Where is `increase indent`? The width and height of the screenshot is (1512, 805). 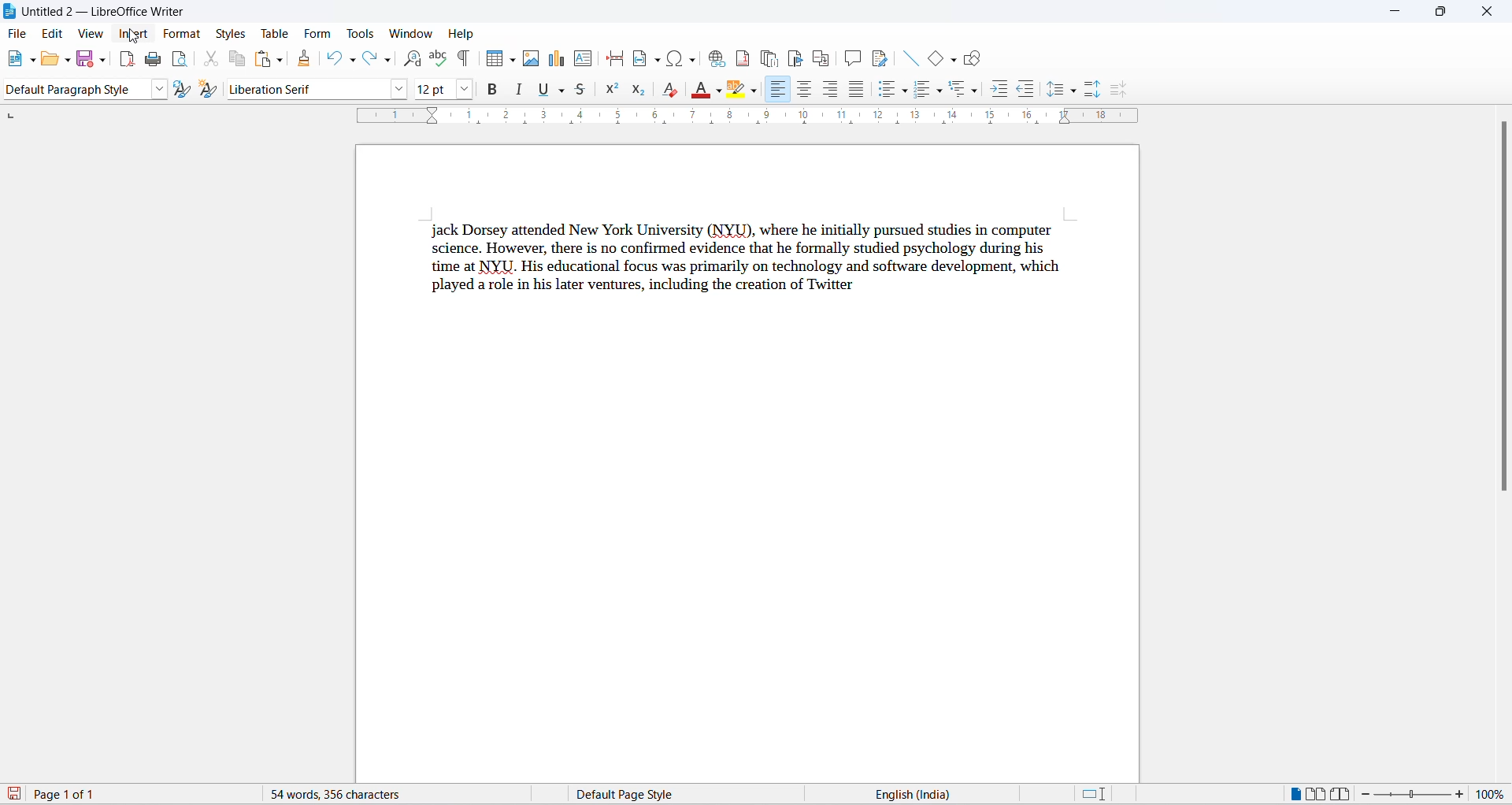
increase indent is located at coordinates (999, 91).